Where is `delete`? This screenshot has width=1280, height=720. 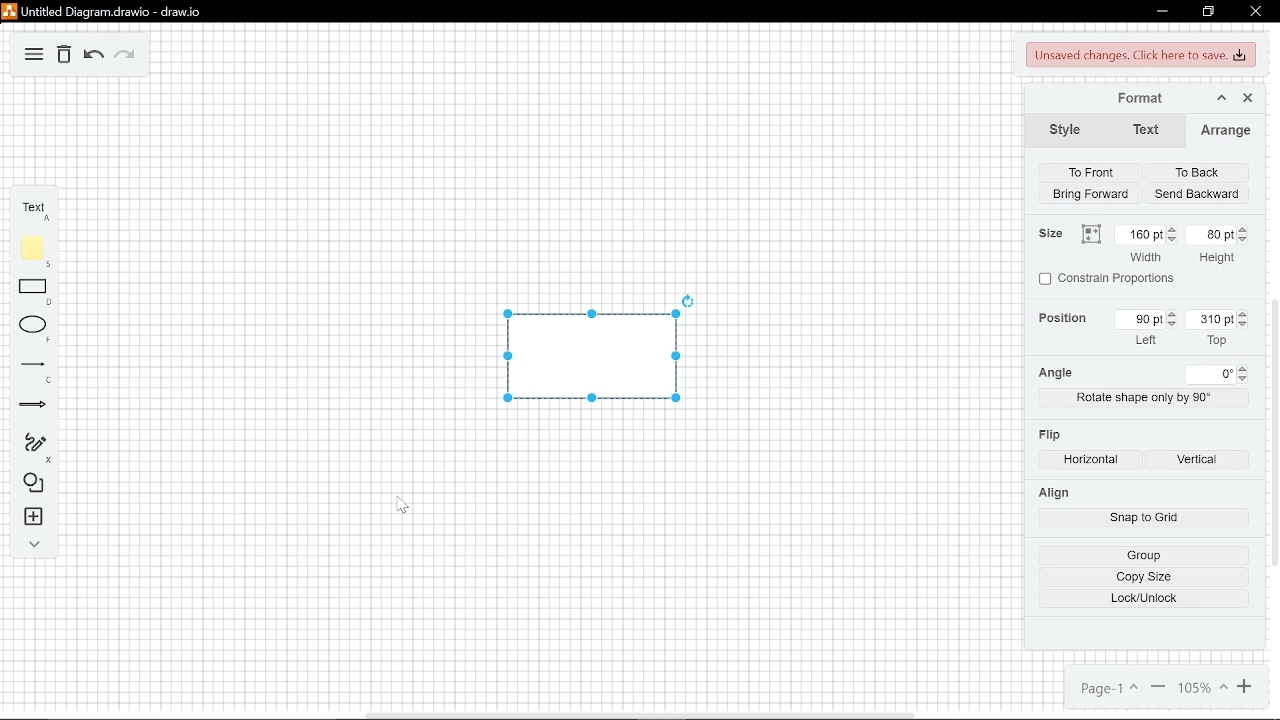 delete is located at coordinates (65, 58).